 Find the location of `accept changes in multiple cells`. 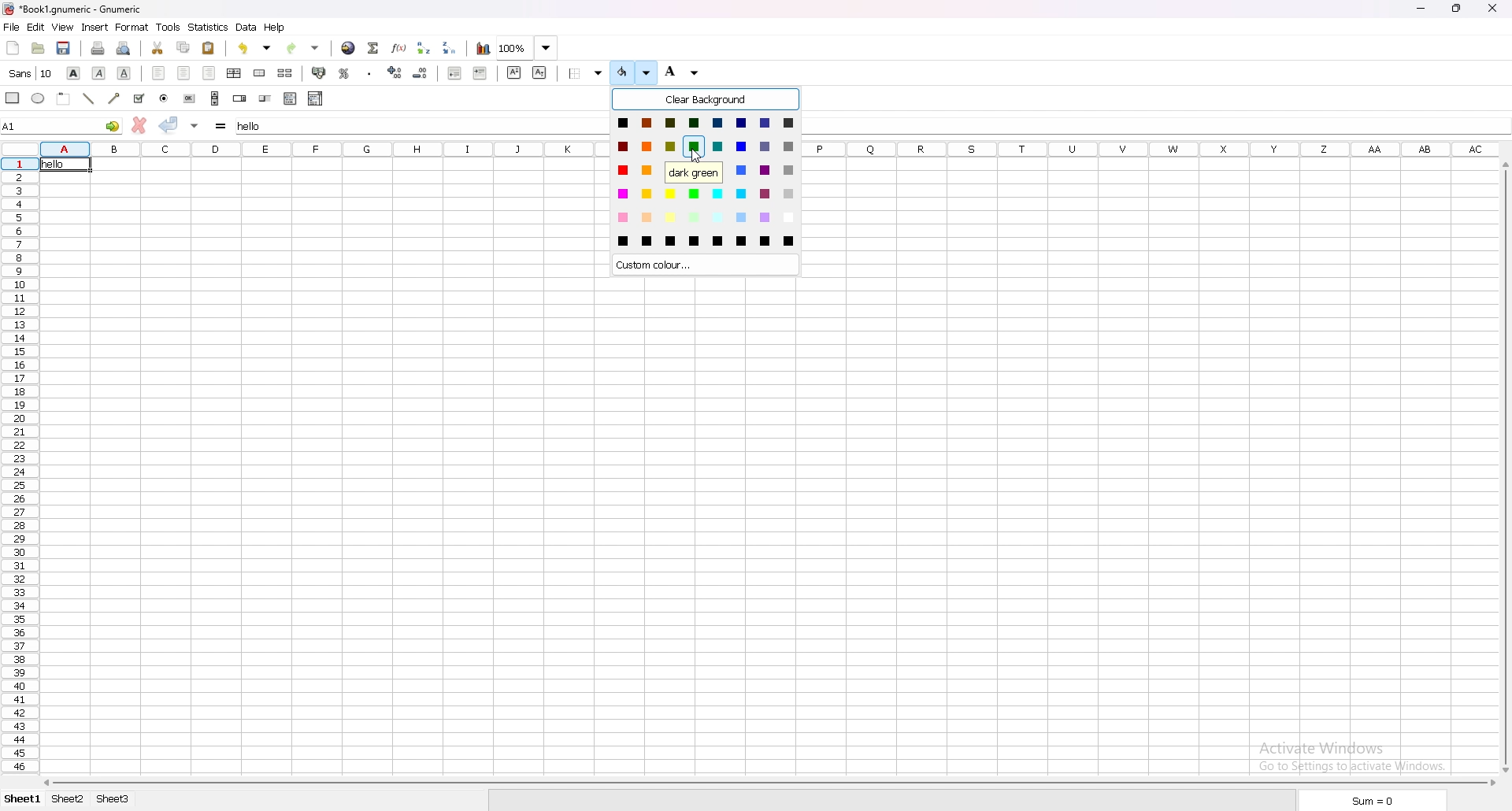

accept changes in multiple cells is located at coordinates (195, 124).